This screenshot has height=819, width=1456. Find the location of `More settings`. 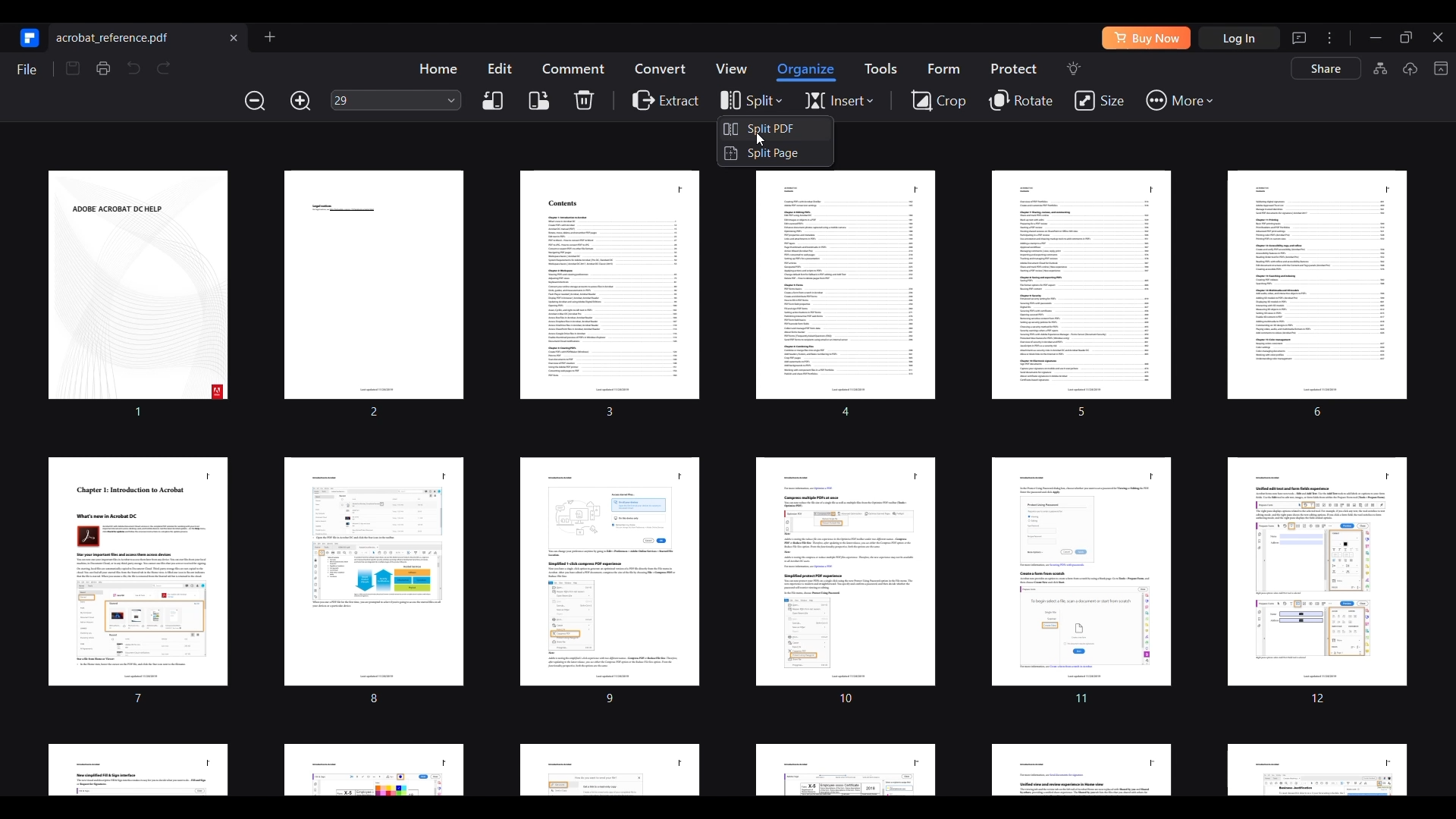

More settings is located at coordinates (1329, 37).